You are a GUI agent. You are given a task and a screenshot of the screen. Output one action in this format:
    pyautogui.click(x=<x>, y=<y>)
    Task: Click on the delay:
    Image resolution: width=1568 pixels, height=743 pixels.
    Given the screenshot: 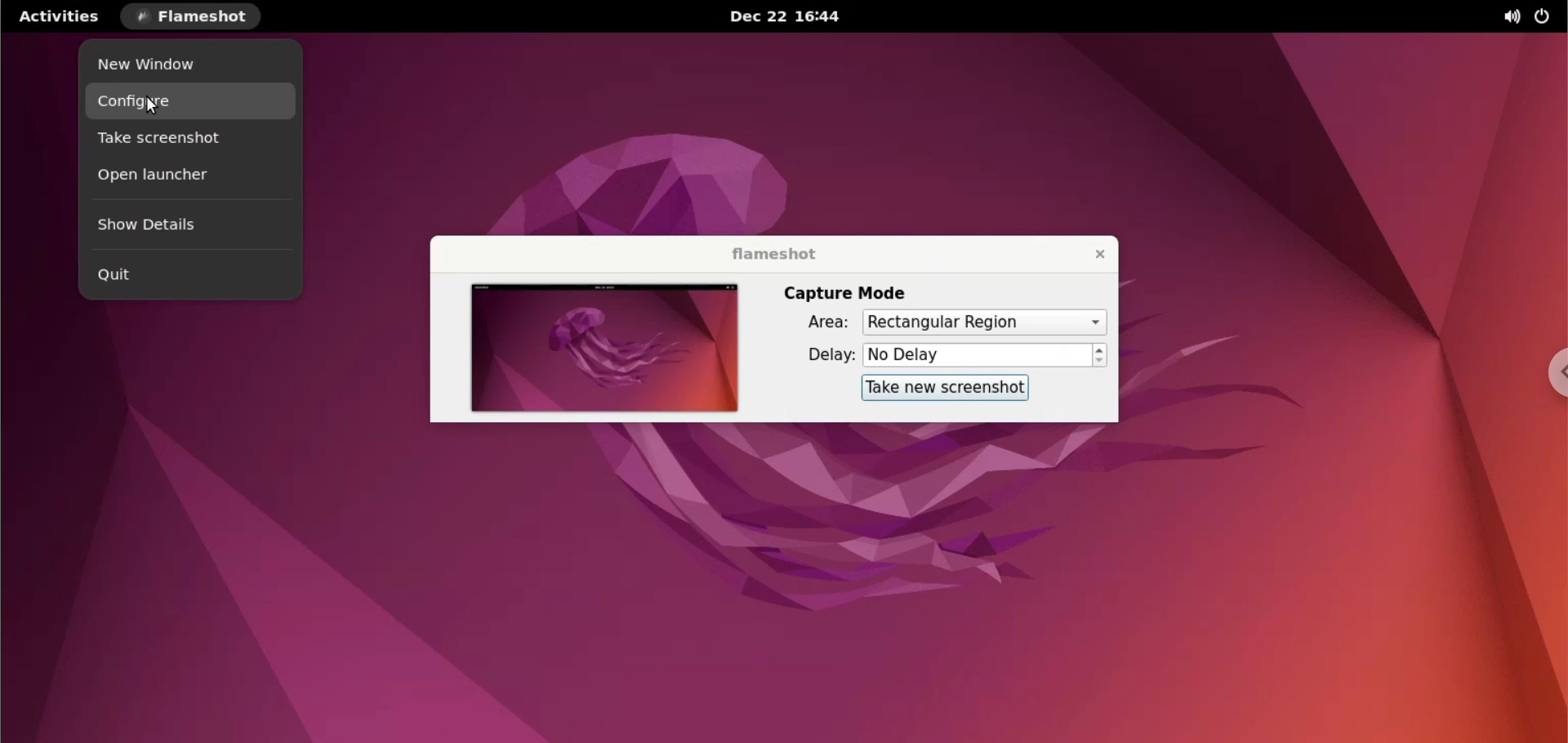 What is the action you would take?
    pyautogui.click(x=822, y=354)
    